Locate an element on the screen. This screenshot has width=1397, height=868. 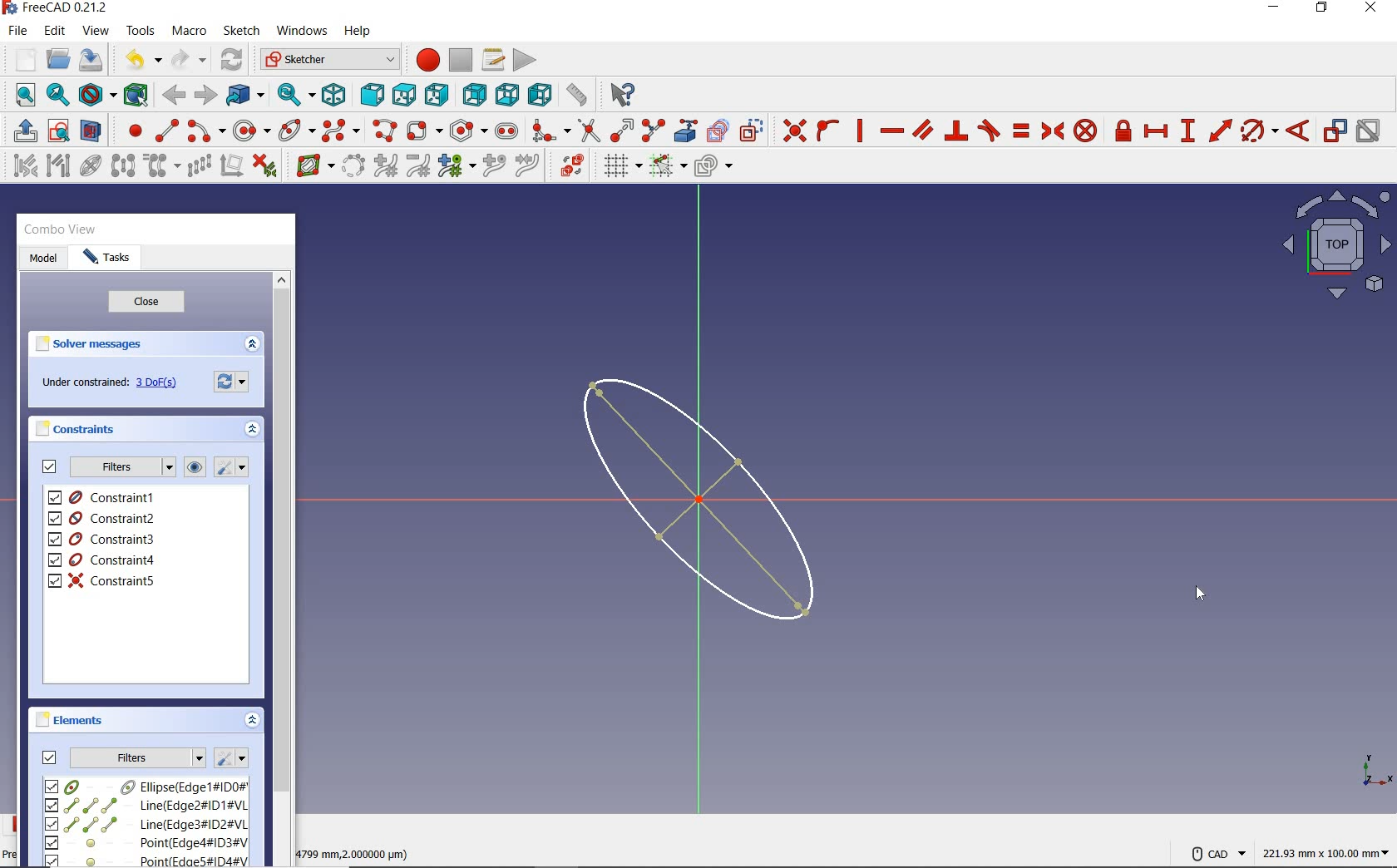
macro recording is located at coordinates (422, 59).